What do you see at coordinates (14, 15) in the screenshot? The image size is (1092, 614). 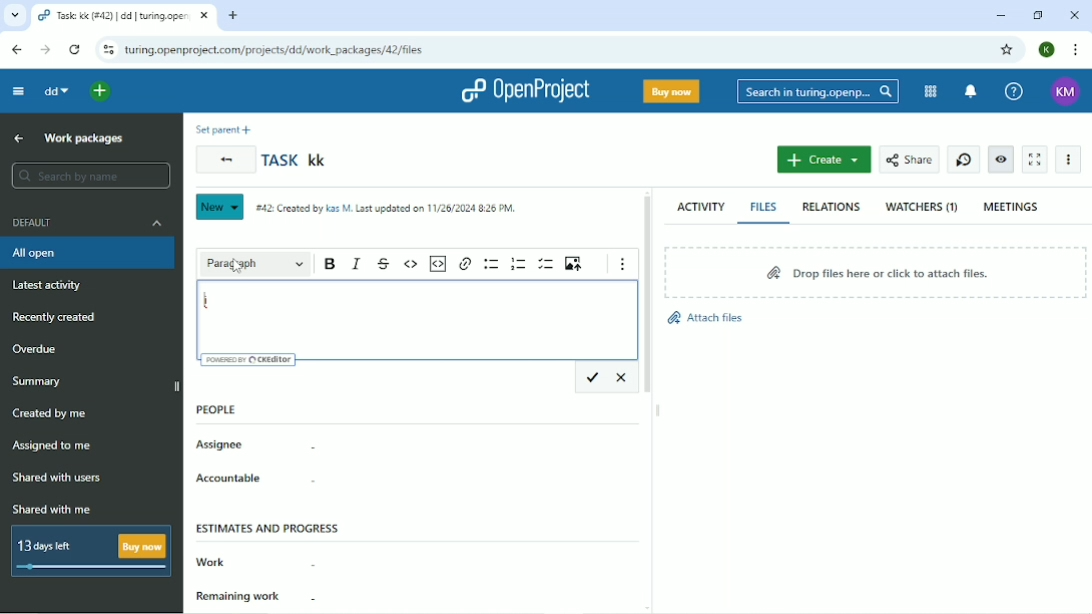 I see `Search tabs` at bounding box center [14, 15].